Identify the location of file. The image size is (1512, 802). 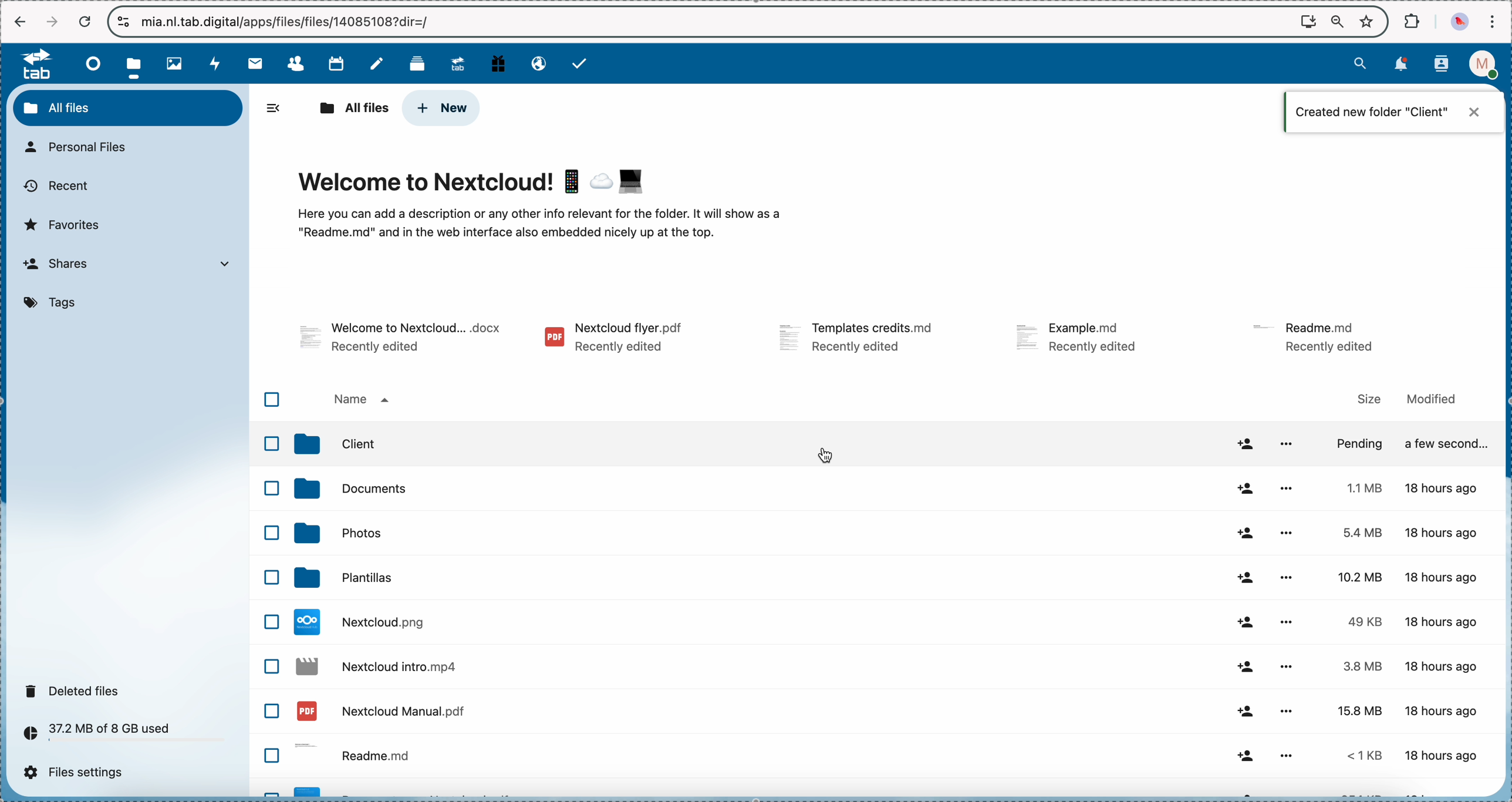
(613, 340).